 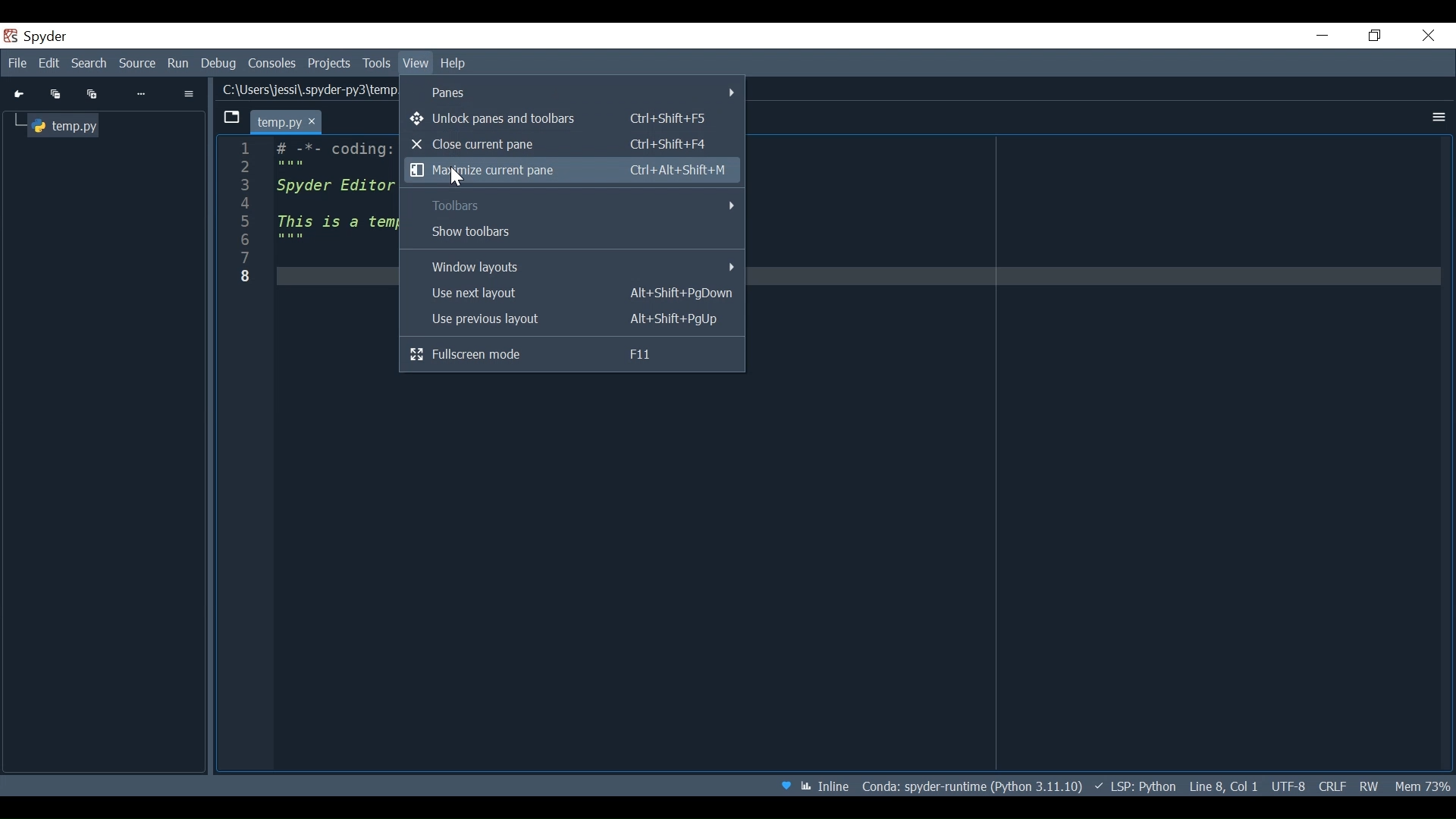 What do you see at coordinates (220, 63) in the screenshot?
I see `Debug` at bounding box center [220, 63].